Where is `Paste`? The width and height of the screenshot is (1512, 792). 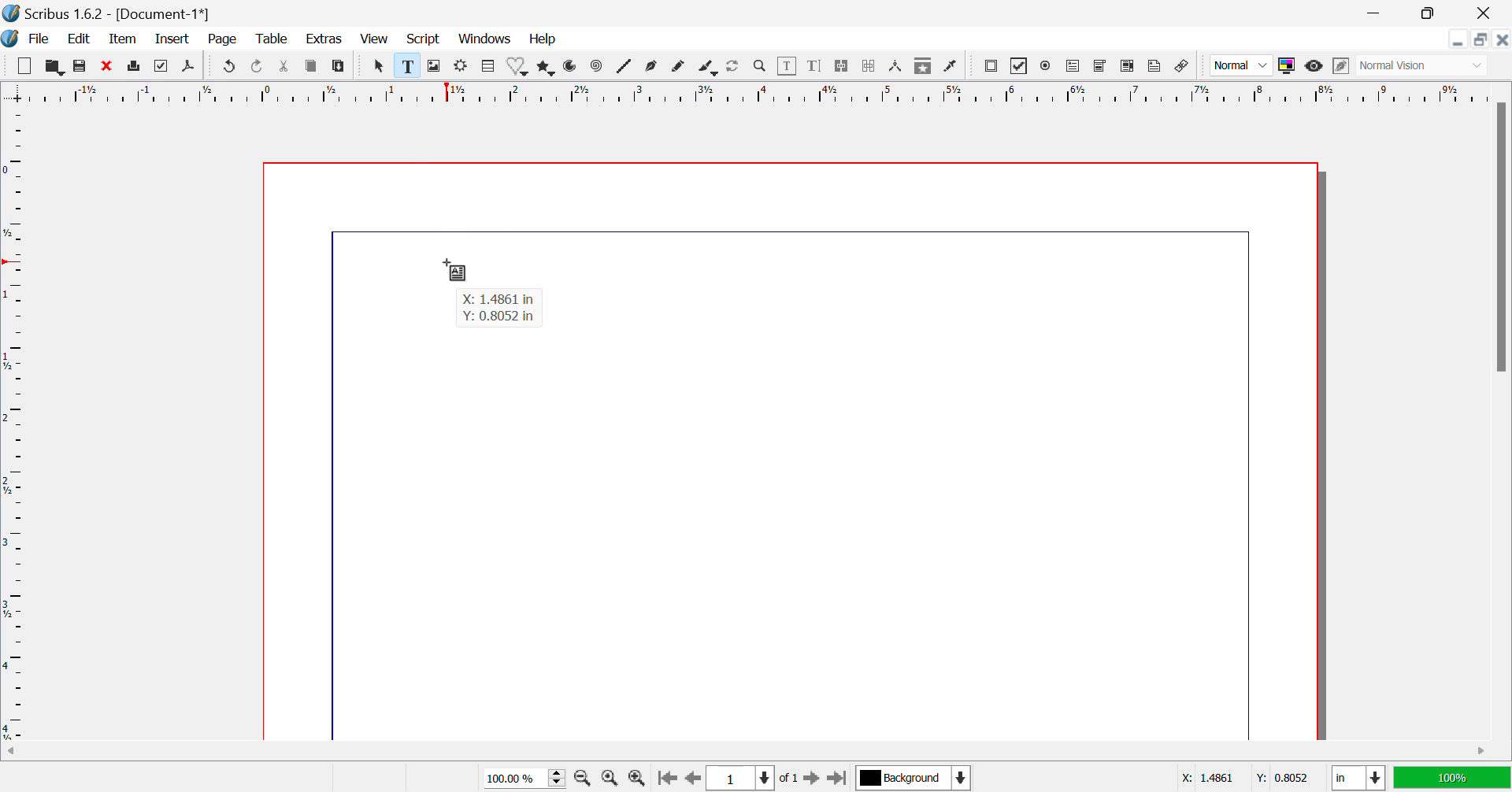 Paste is located at coordinates (339, 68).